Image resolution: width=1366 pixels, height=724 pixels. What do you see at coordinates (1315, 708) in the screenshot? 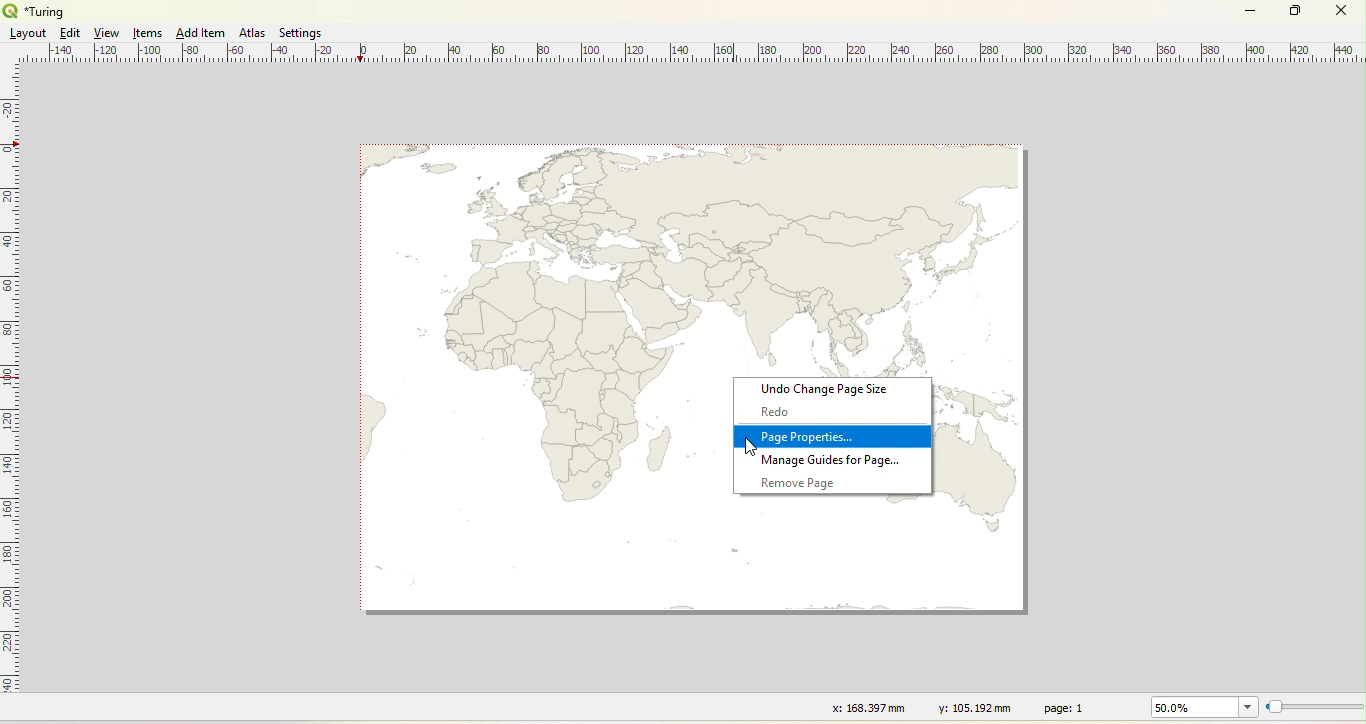
I see `Resize` at bounding box center [1315, 708].